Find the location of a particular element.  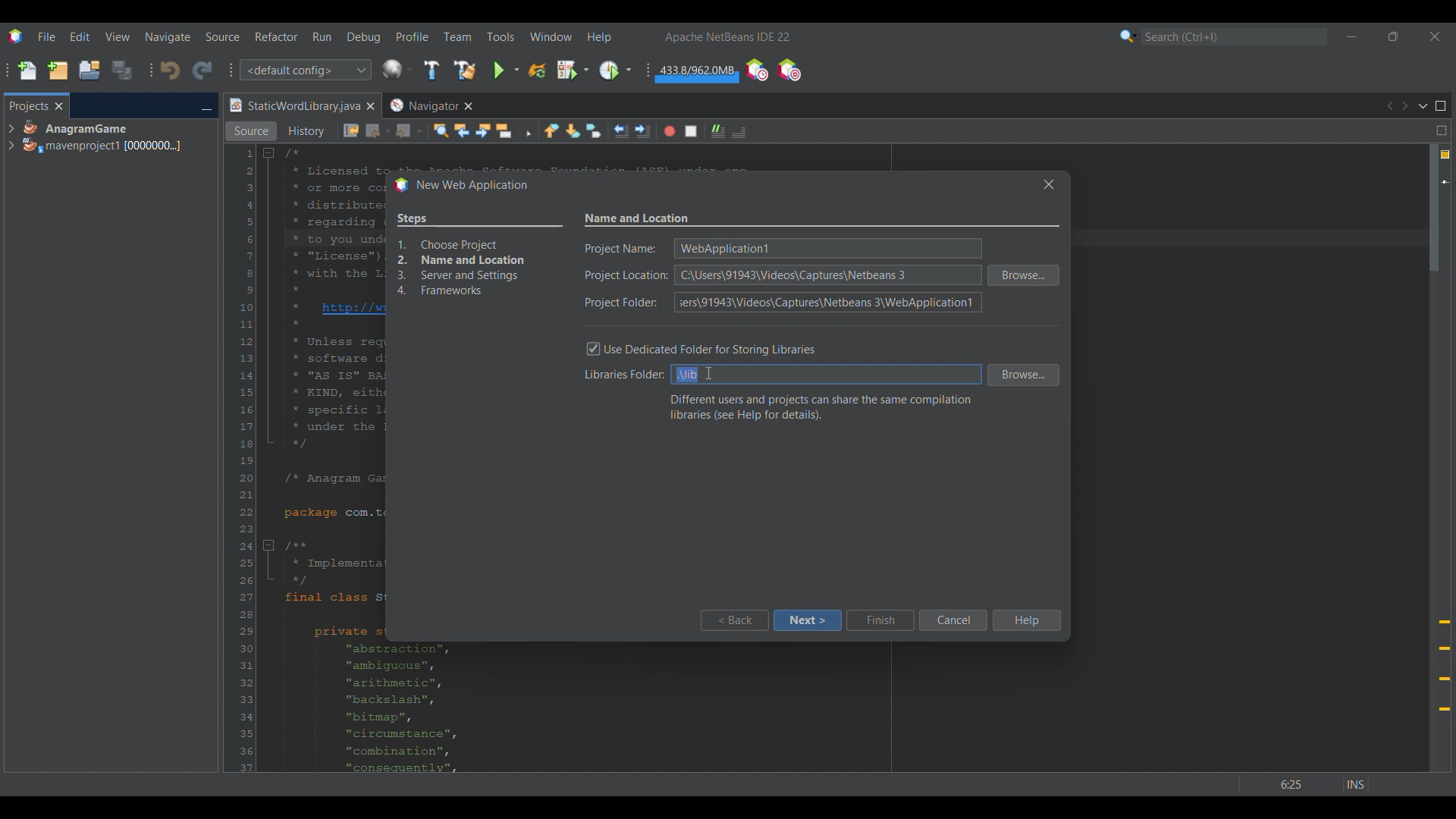

View menu is located at coordinates (118, 36).